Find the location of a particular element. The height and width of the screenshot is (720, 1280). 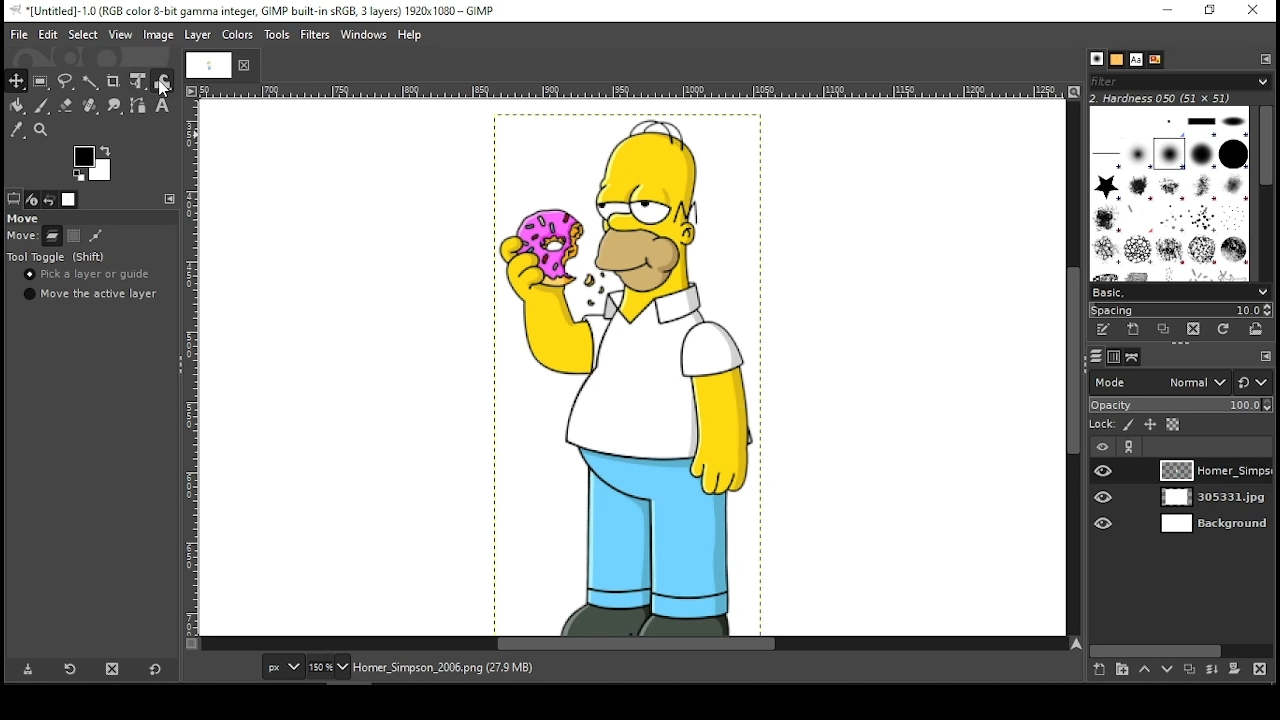

scroll bar is located at coordinates (636, 644).